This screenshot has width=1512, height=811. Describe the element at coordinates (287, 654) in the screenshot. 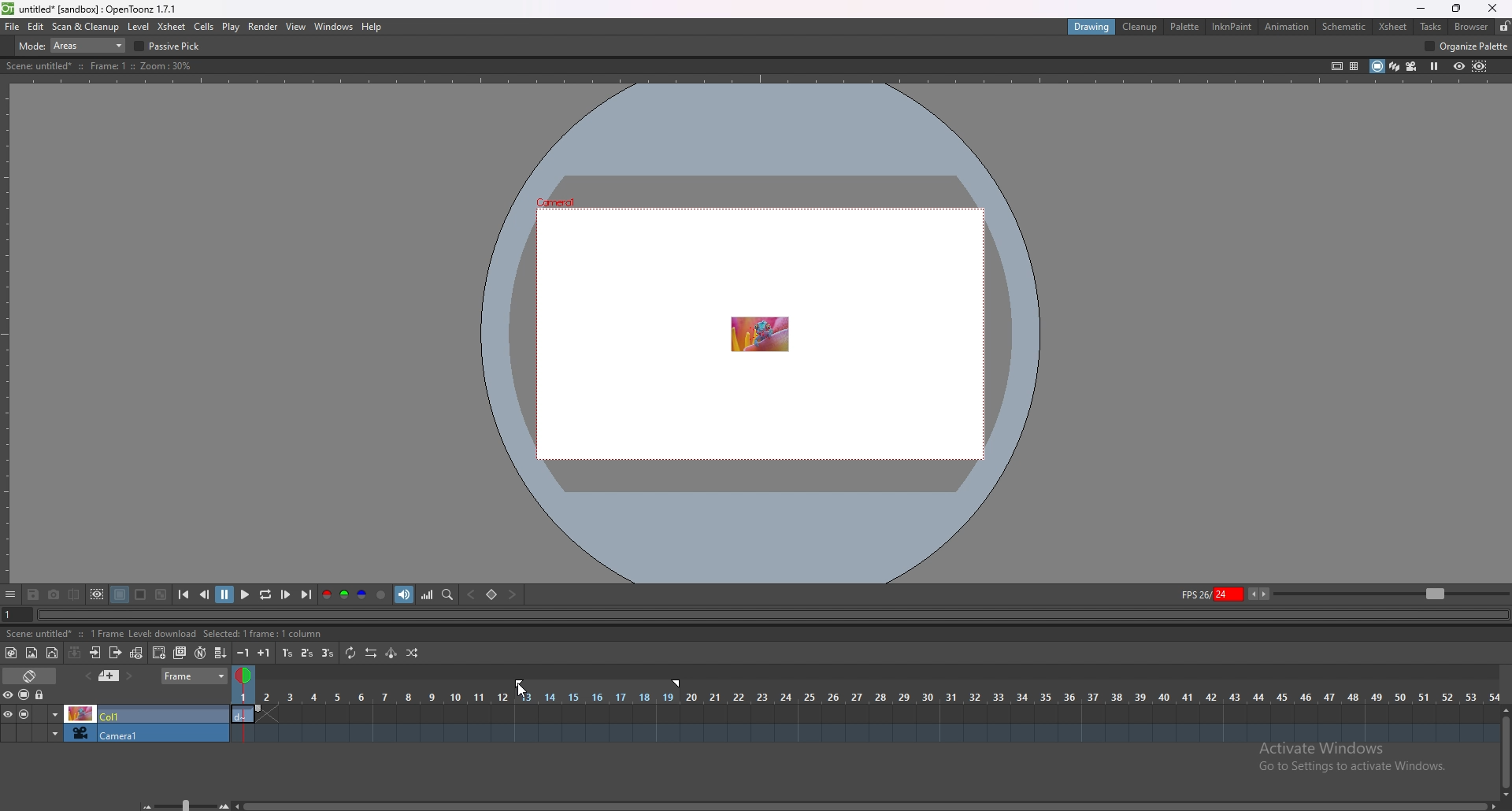

I see `reframe on 1s` at that location.